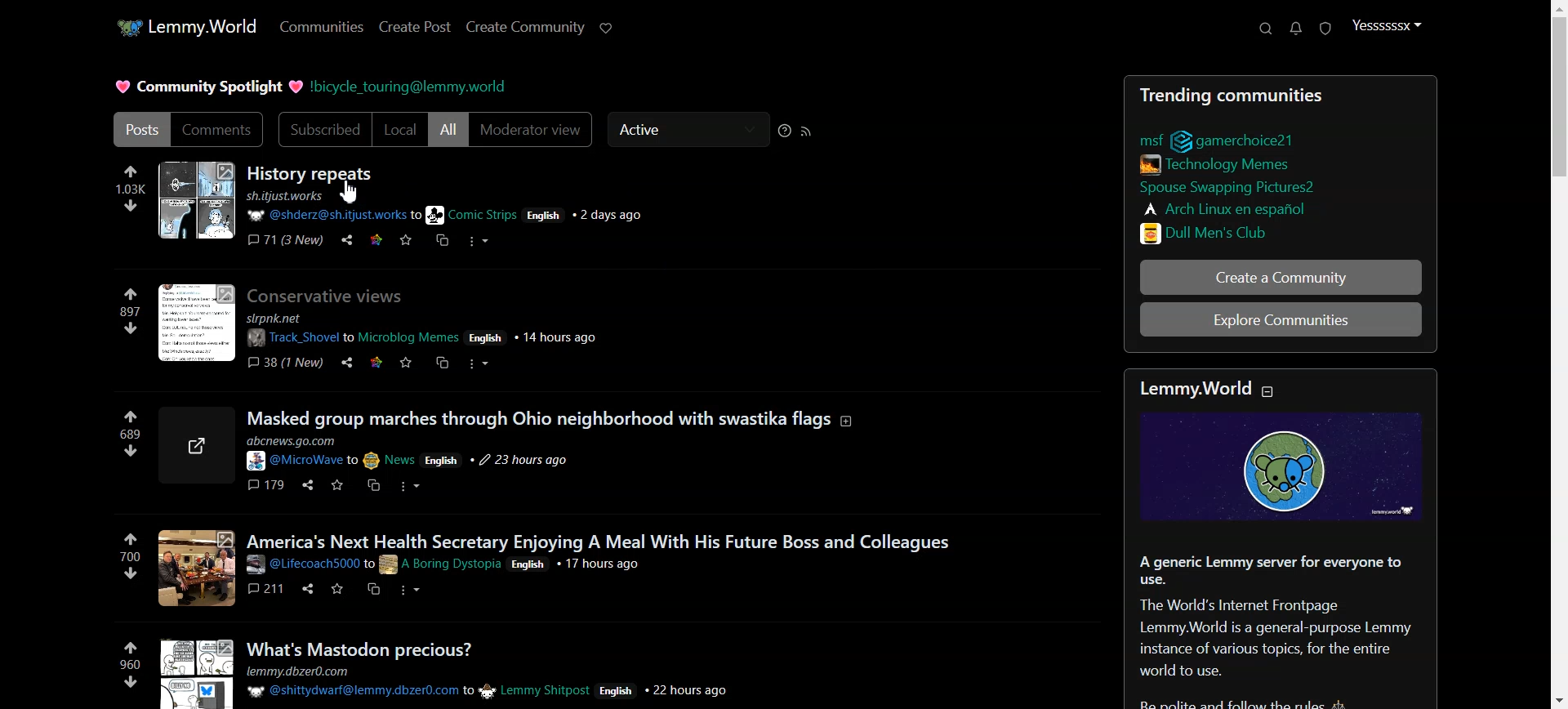  What do you see at coordinates (287, 240) in the screenshot?
I see `Comment` at bounding box center [287, 240].